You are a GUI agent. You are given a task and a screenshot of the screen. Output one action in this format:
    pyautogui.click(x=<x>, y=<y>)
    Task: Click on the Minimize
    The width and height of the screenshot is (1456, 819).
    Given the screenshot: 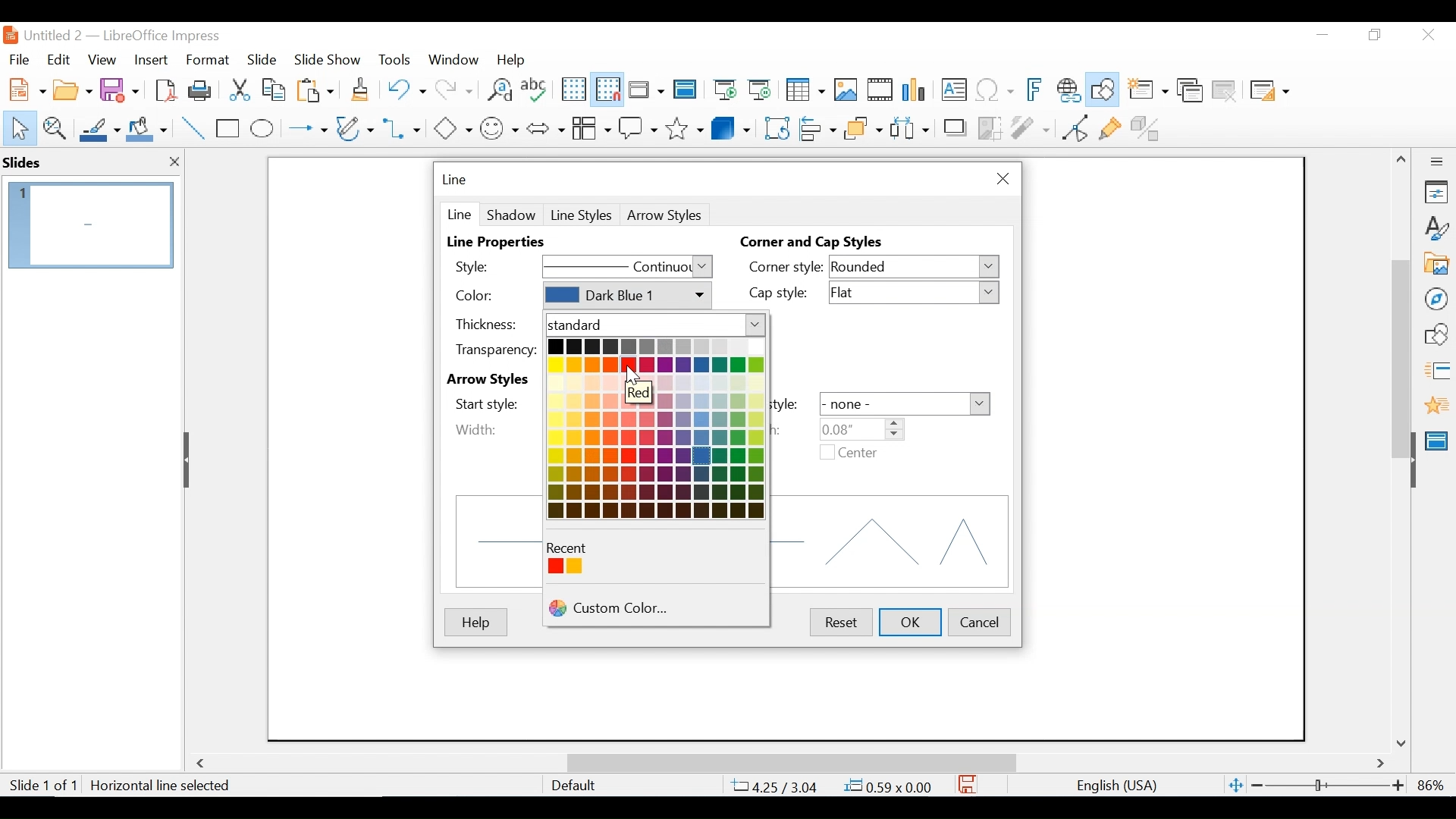 What is the action you would take?
    pyautogui.click(x=1321, y=35)
    